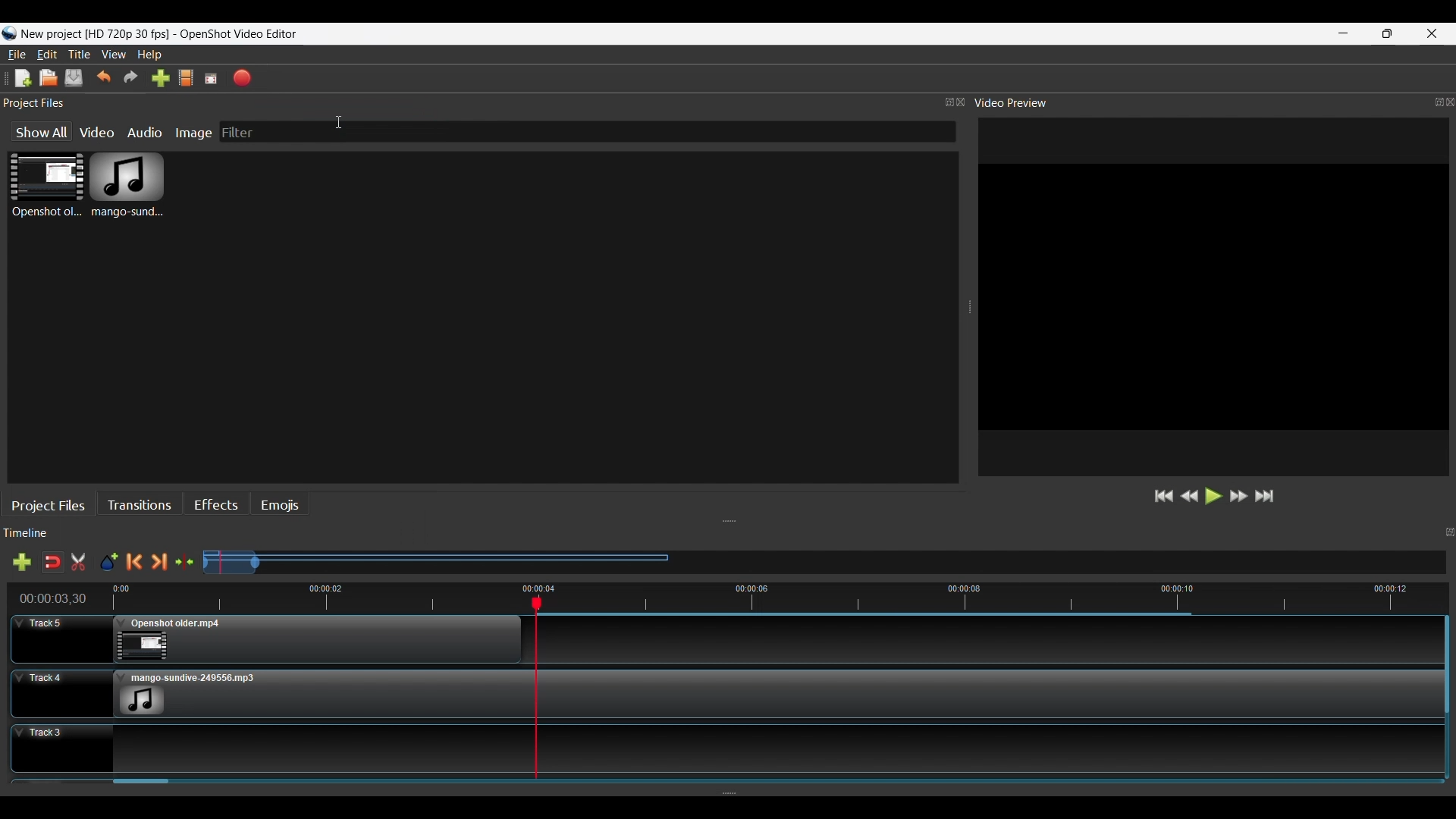 The width and height of the screenshot is (1456, 819). What do you see at coordinates (990, 748) in the screenshot?
I see `track 3` at bounding box center [990, 748].